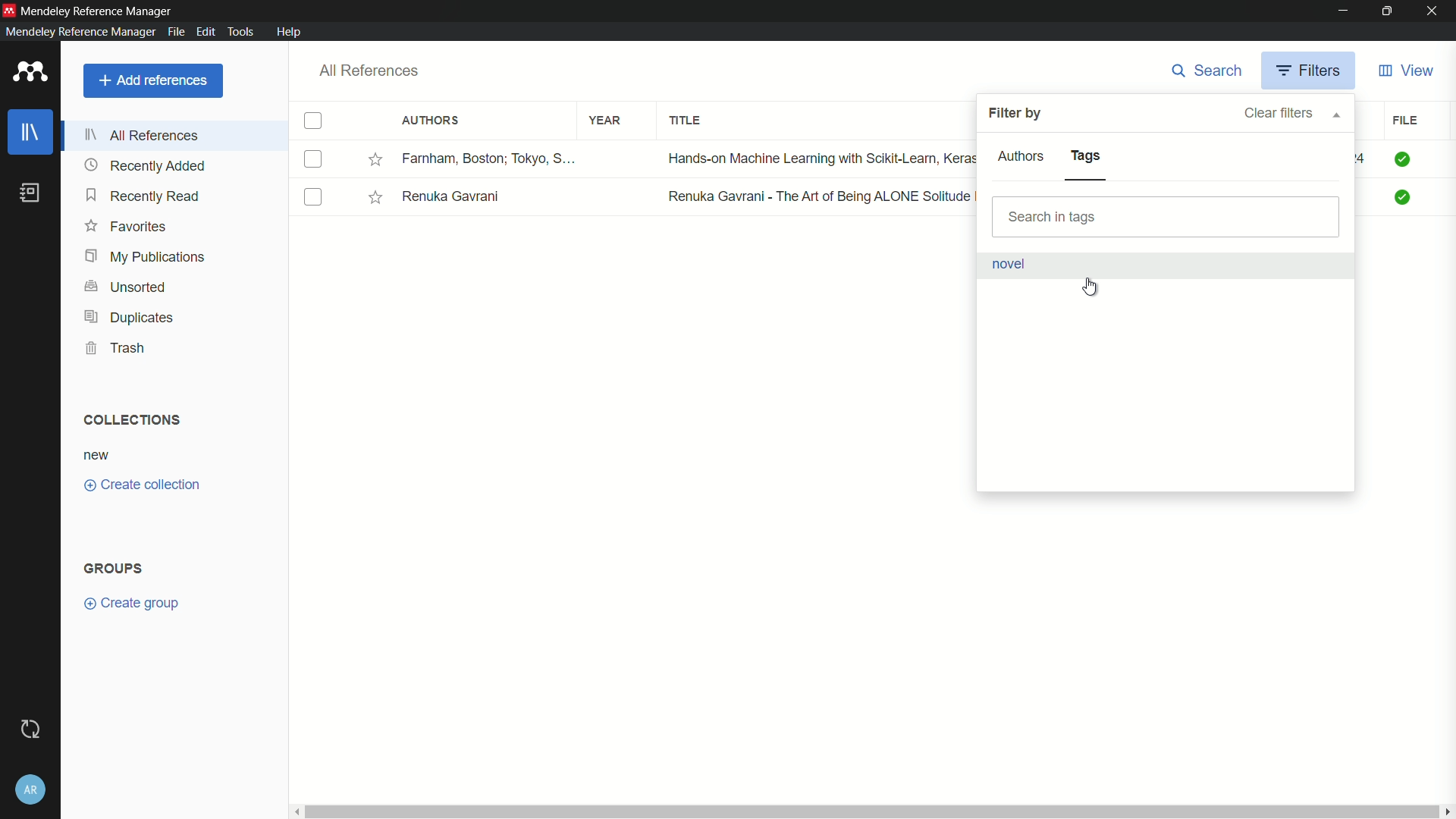 Image resolution: width=1456 pixels, height=819 pixels. What do you see at coordinates (1404, 121) in the screenshot?
I see `file` at bounding box center [1404, 121].